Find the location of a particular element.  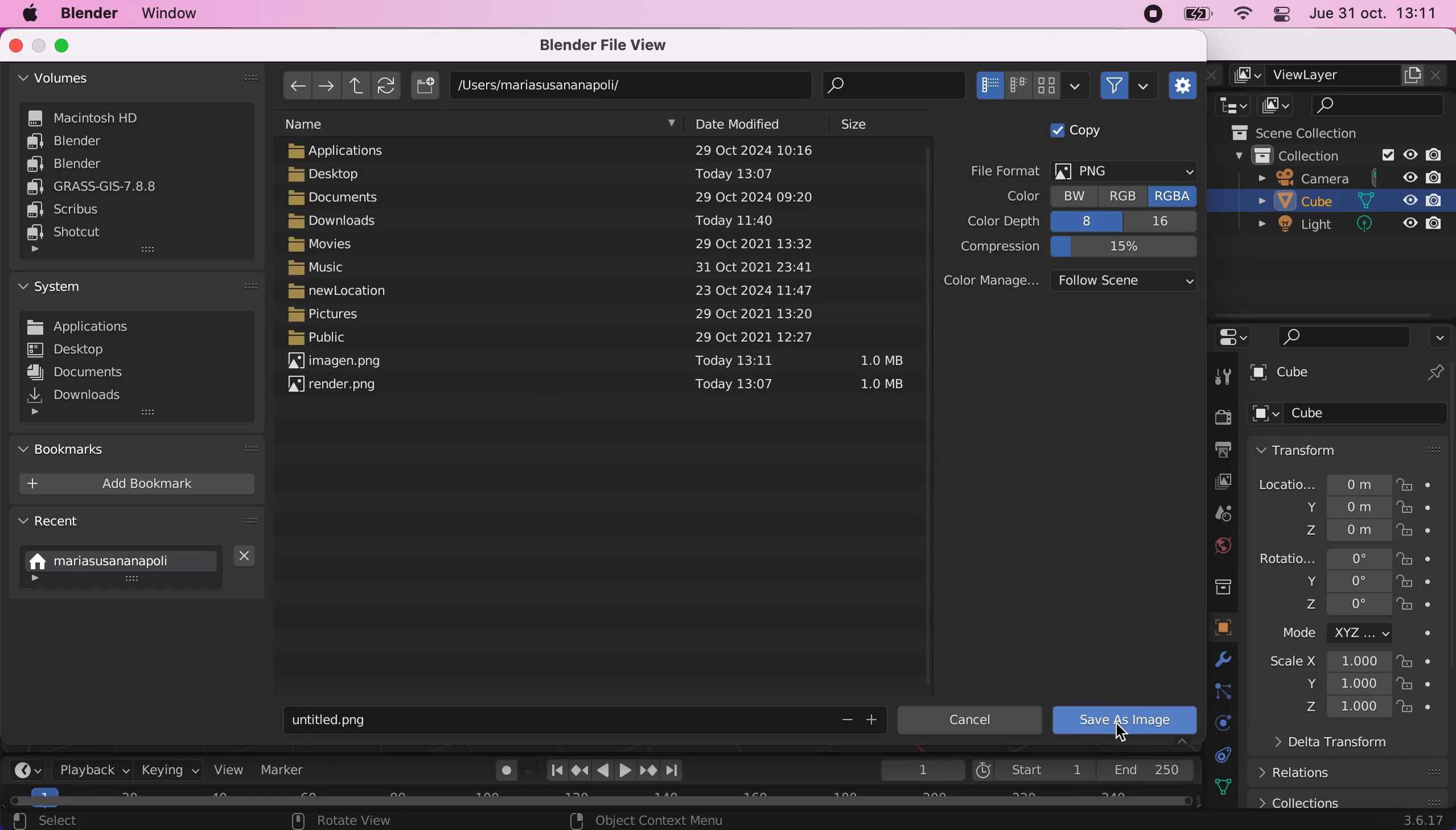

lock is located at coordinates (1417, 558).